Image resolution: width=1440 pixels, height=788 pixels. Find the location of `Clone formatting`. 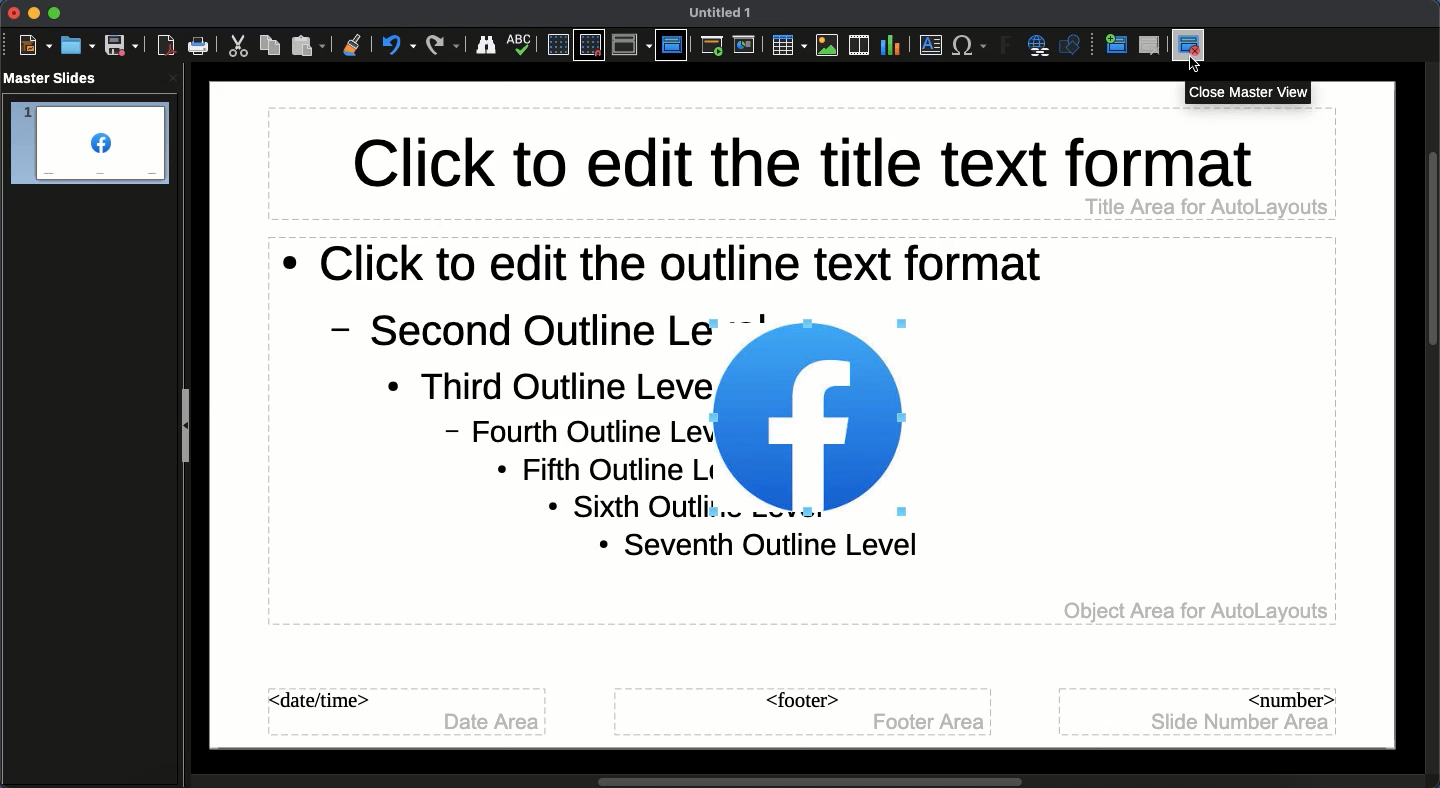

Clone formatting is located at coordinates (355, 46).